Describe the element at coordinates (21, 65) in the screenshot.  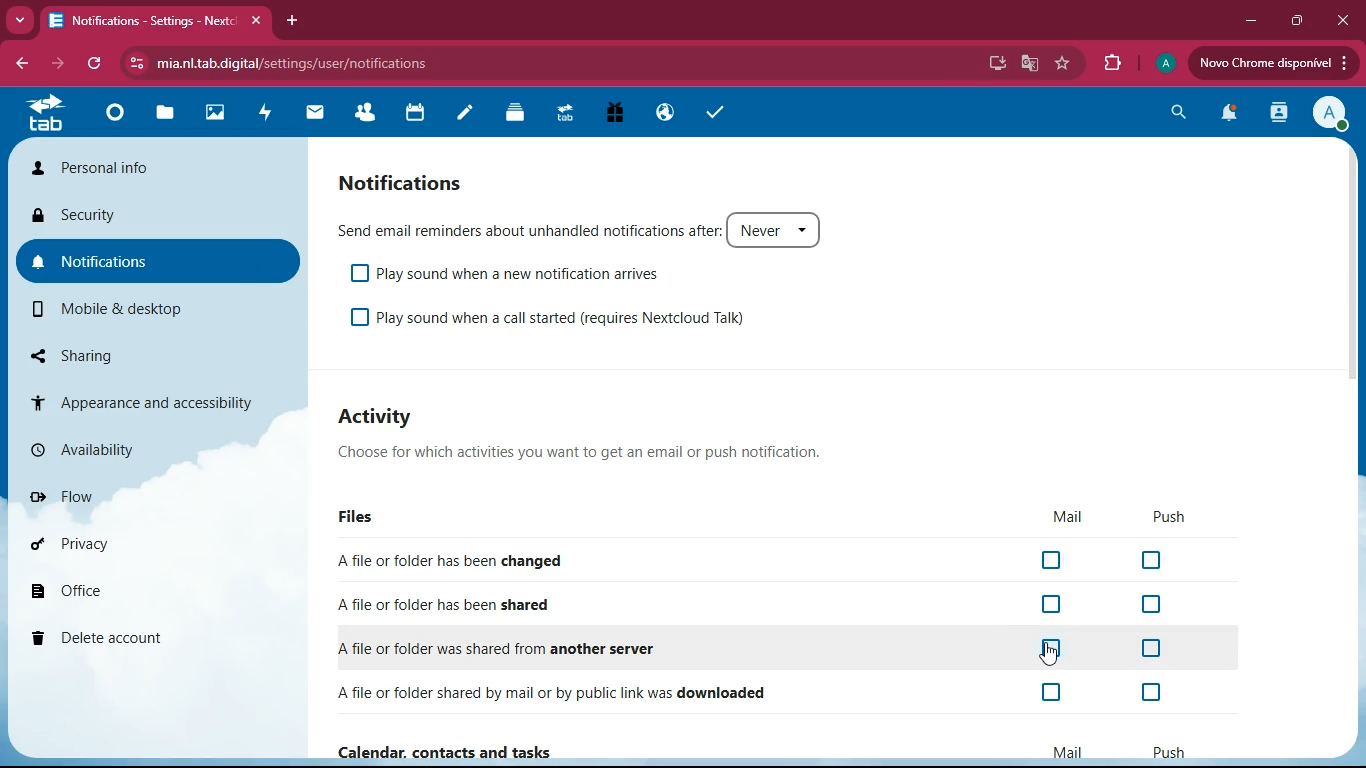
I see `back` at that location.